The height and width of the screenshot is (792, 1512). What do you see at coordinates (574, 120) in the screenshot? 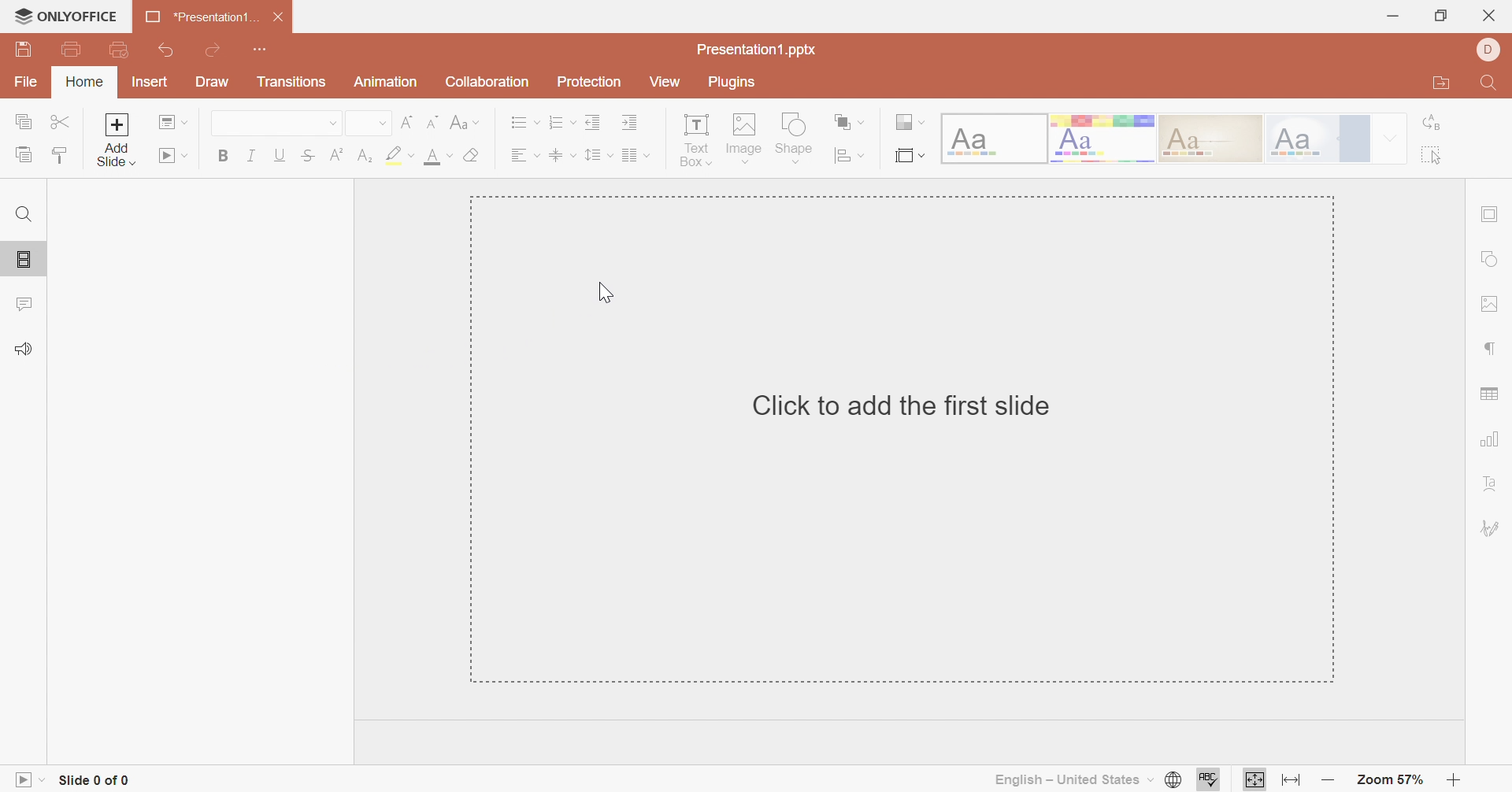
I see `Drop Down` at bounding box center [574, 120].